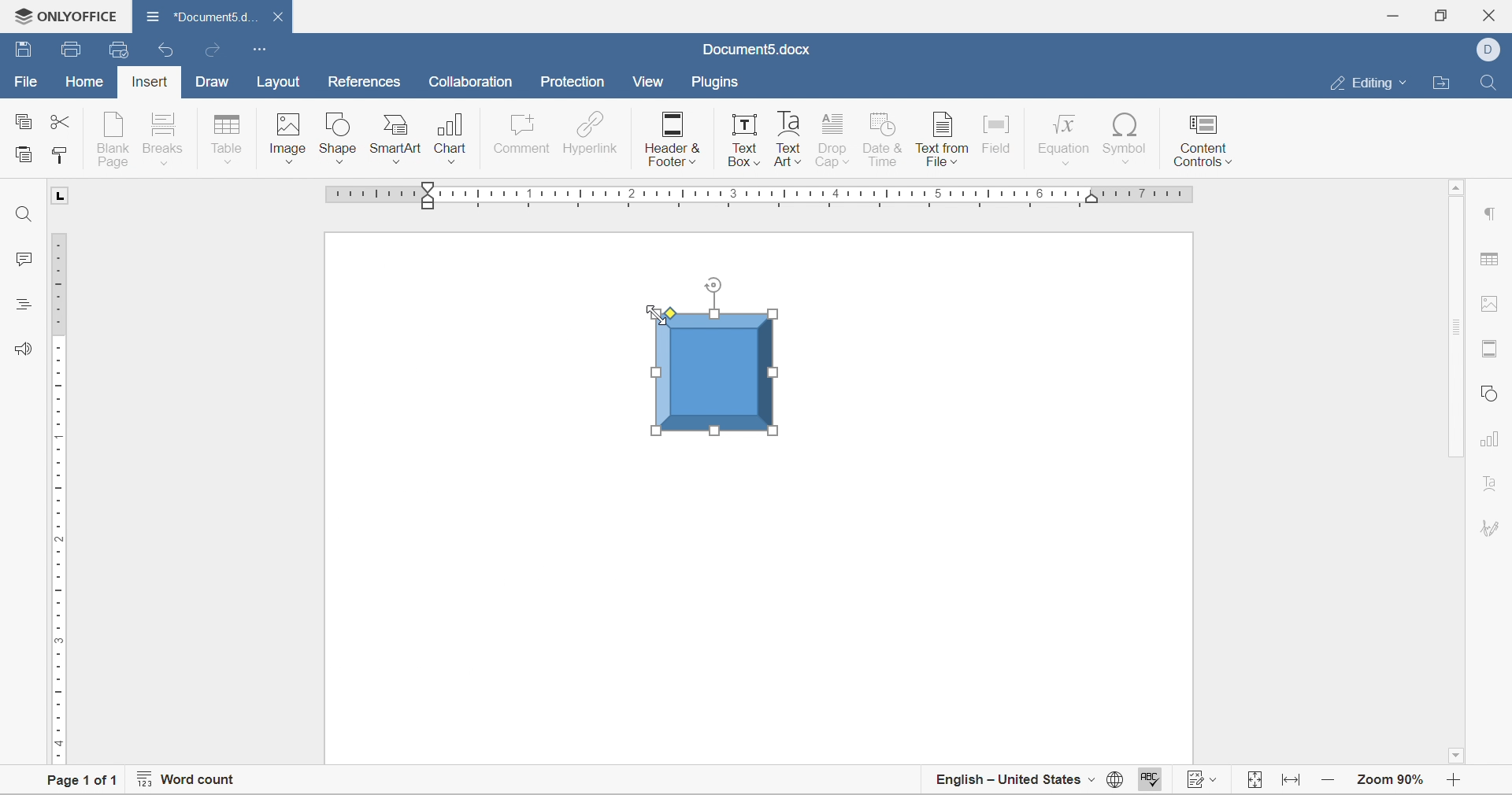 This screenshot has height=795, width=1512. What do you see at coordinates (258, 48) in the screenshot?
I see `customize quick access toolbar` at bounding box center [258, 48].